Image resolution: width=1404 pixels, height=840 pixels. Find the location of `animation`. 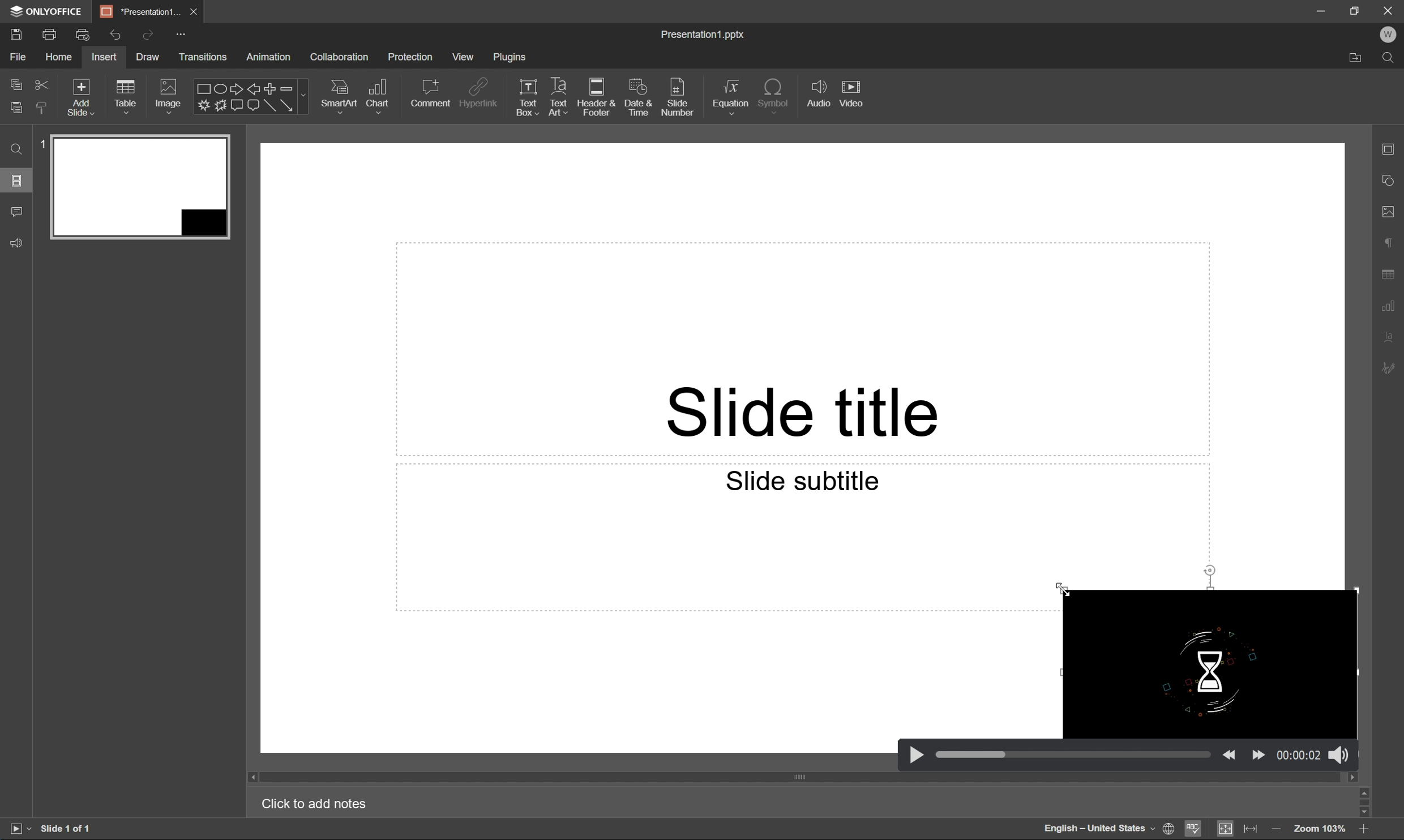

animation is located at coordinates (271, 57).